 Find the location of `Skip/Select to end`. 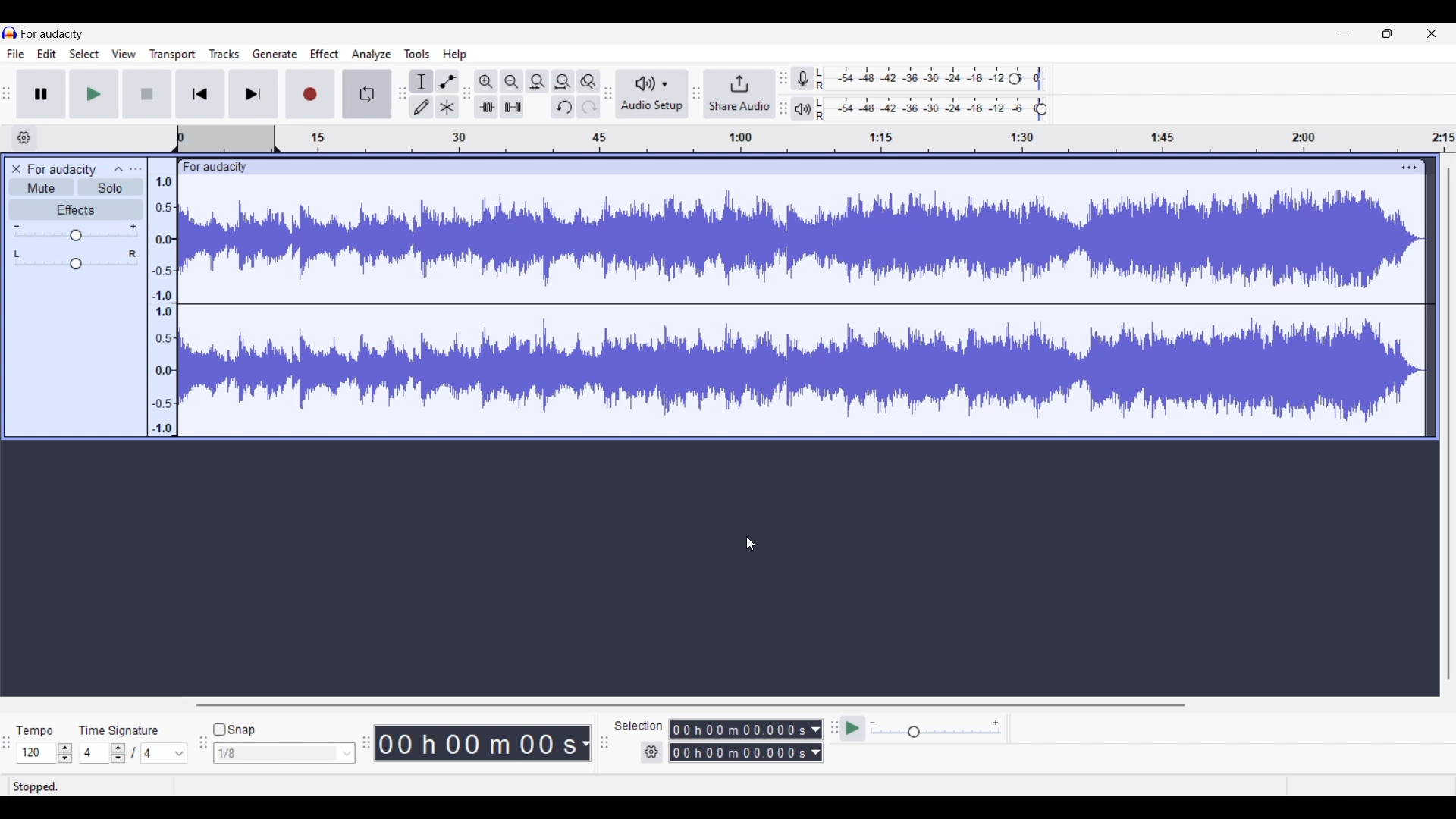

Skip/Select to end is located at coordinates (253, 94).